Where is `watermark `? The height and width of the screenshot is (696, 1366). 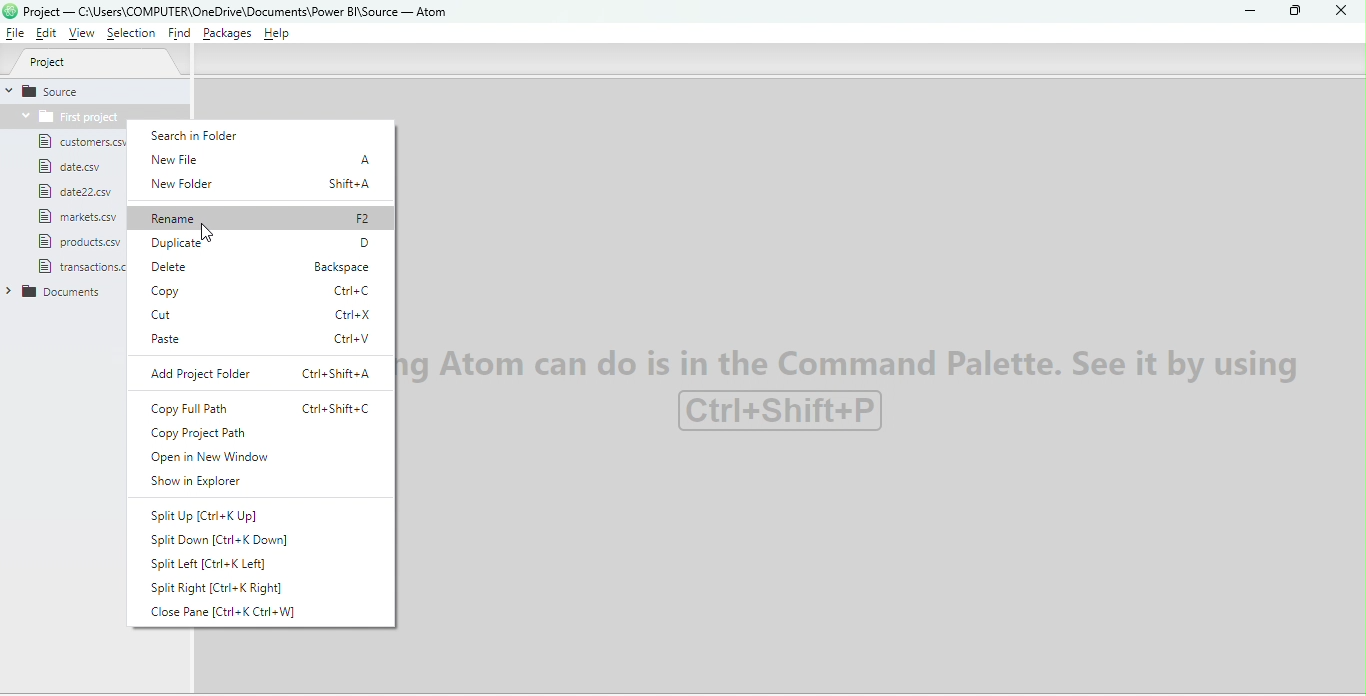 watermark  is located at coordinates (851, 388).